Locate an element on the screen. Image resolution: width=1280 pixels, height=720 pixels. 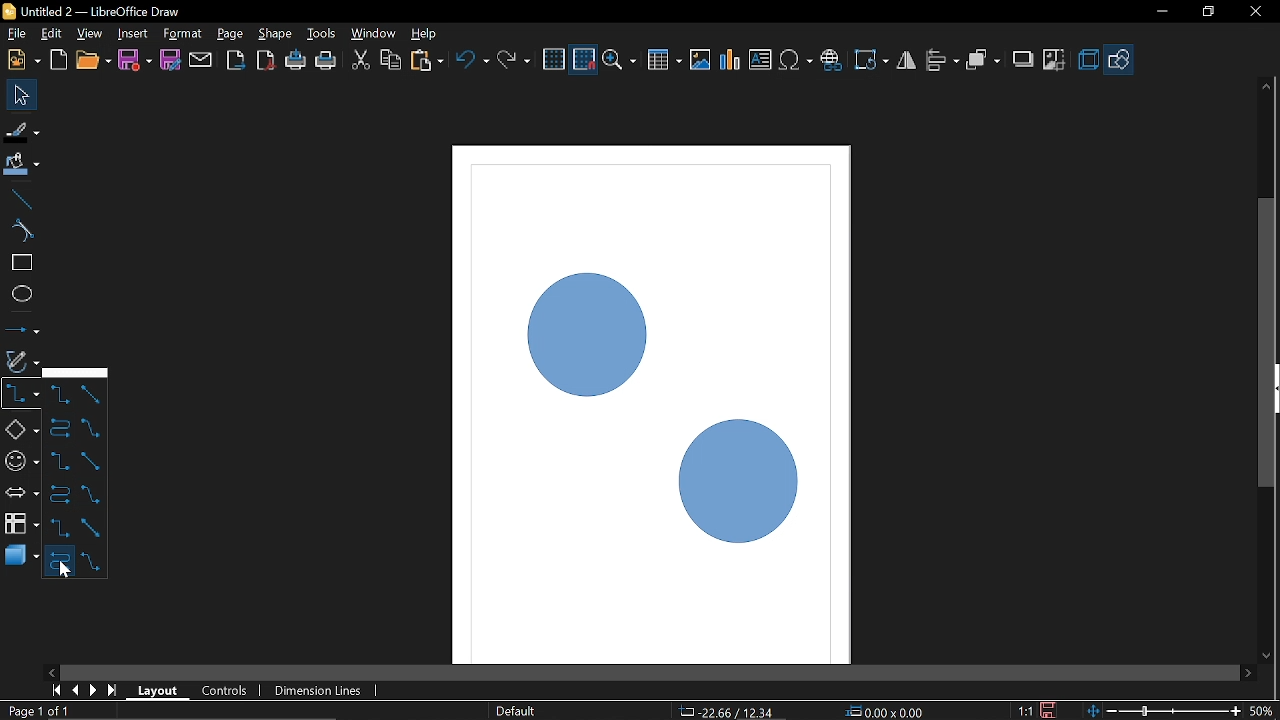
Page is located at coordinates (232, 35).